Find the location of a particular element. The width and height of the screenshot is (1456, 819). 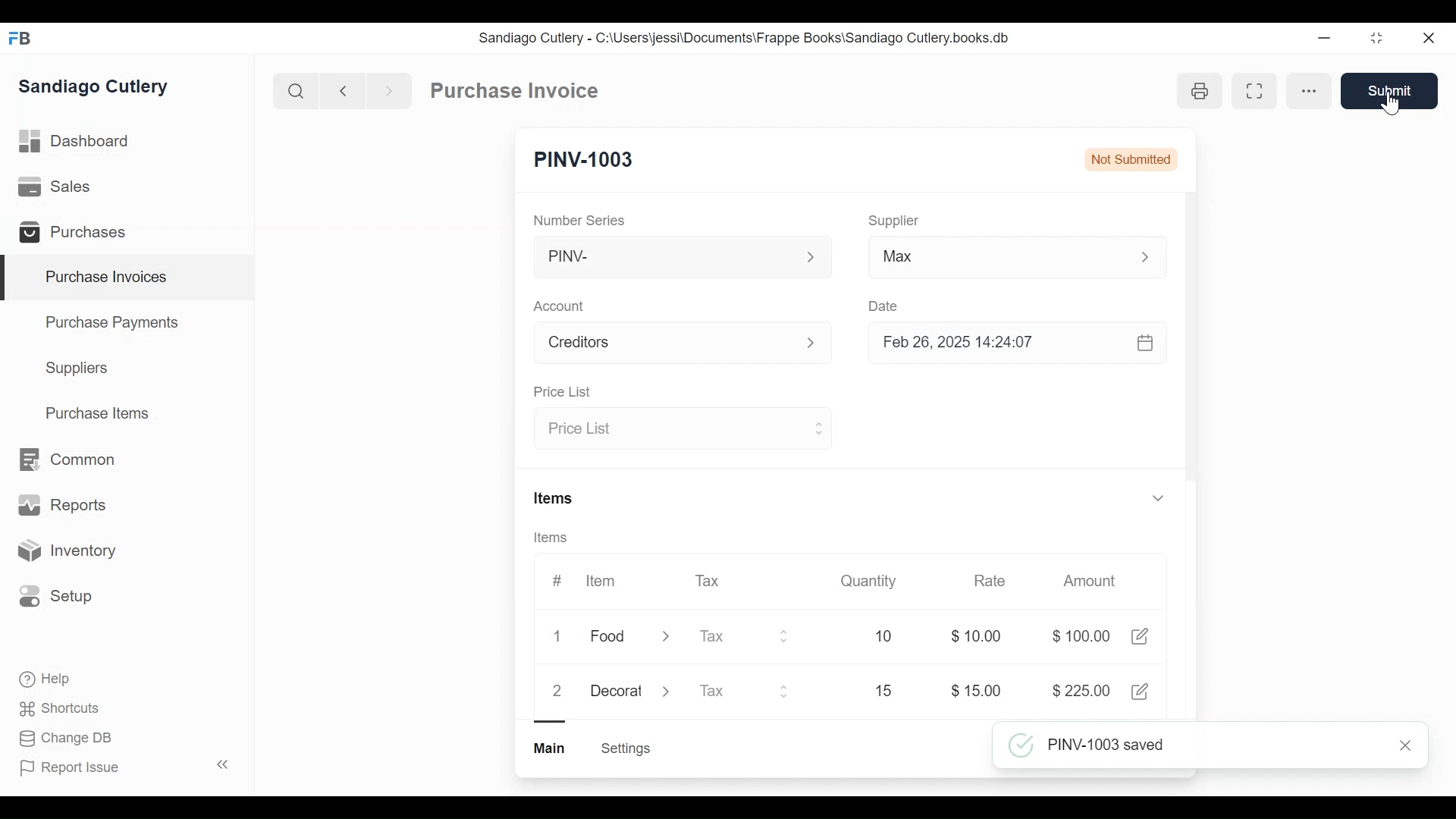

Search is located at coordinates (296, 90).